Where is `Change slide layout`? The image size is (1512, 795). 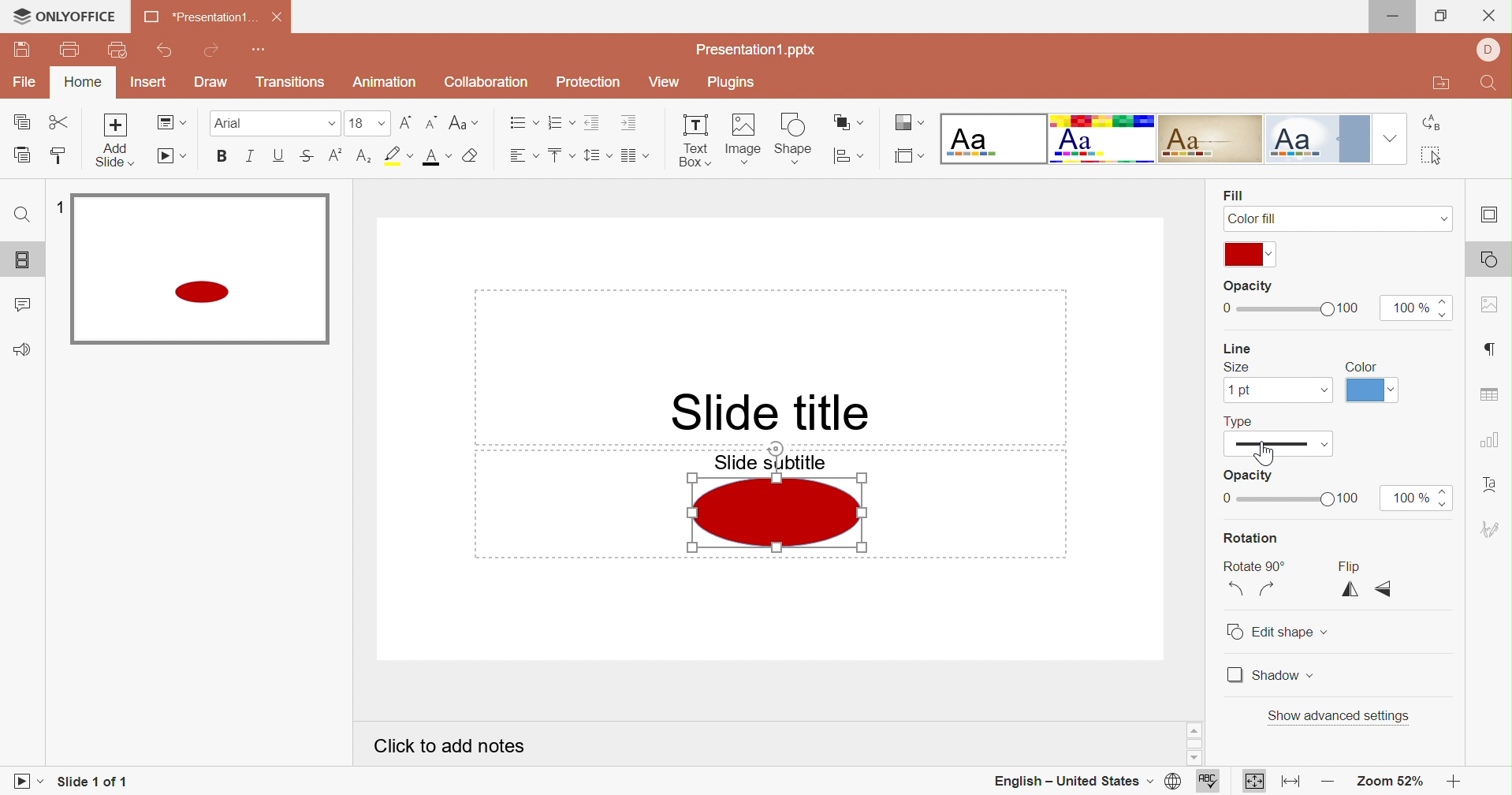
Change slide layout is located at coordinates (171, 124).